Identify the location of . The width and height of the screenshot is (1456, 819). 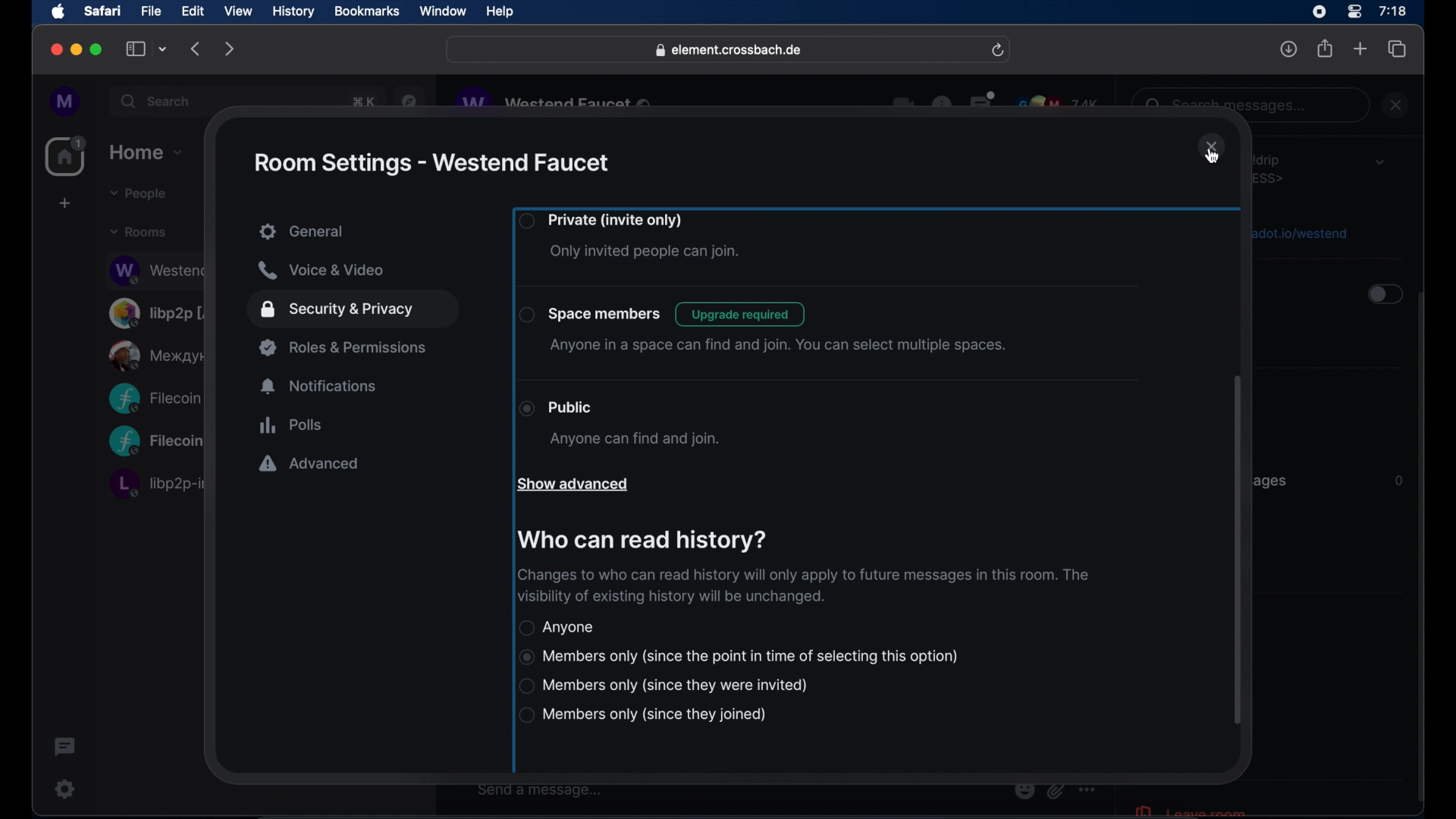
(140, 194).